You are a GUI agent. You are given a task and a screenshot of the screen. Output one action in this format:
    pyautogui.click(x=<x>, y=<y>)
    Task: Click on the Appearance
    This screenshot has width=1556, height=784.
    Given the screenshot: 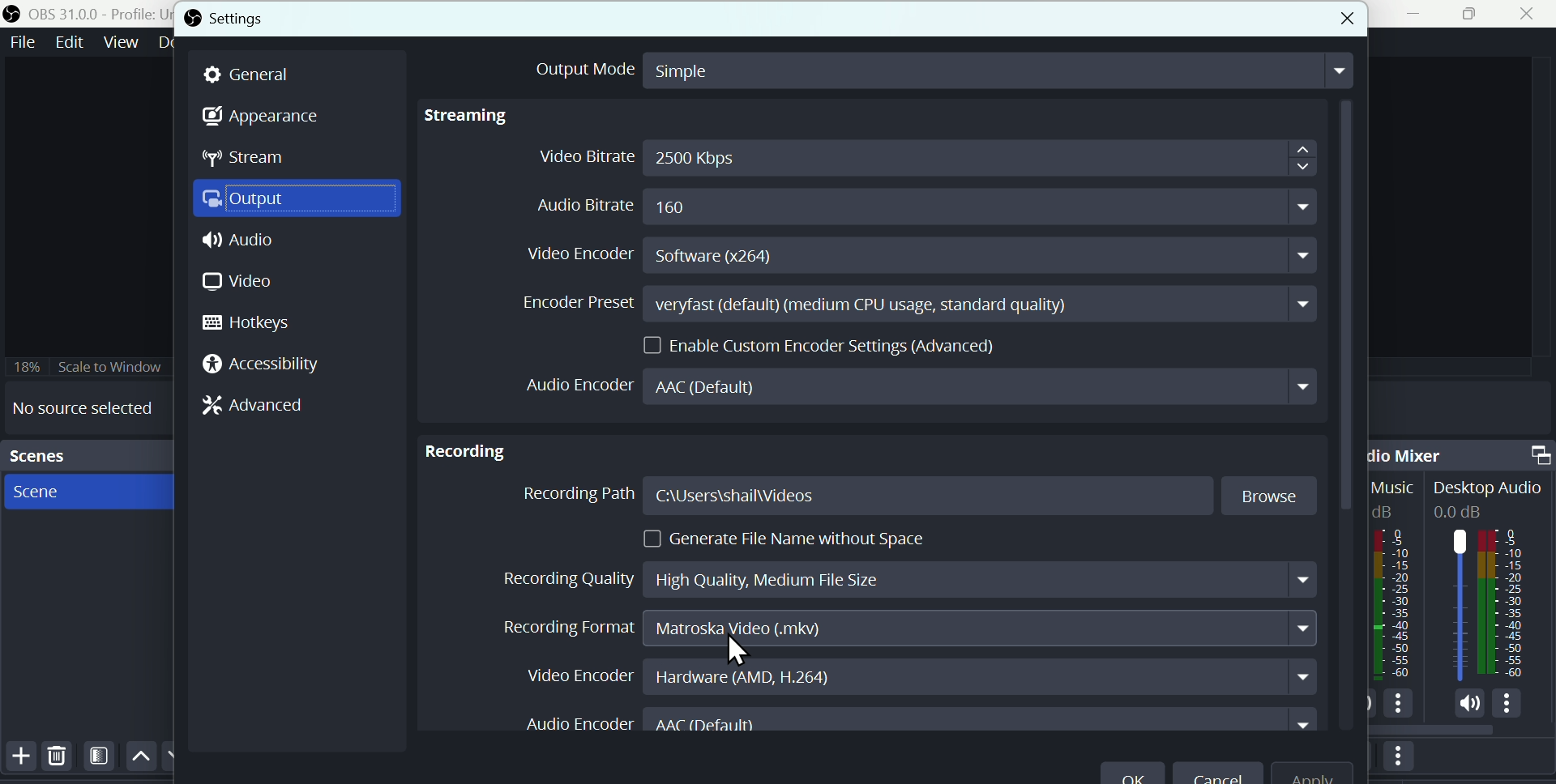 What is the action you would take?
    pyautogui.click(x=256, y=117)
    